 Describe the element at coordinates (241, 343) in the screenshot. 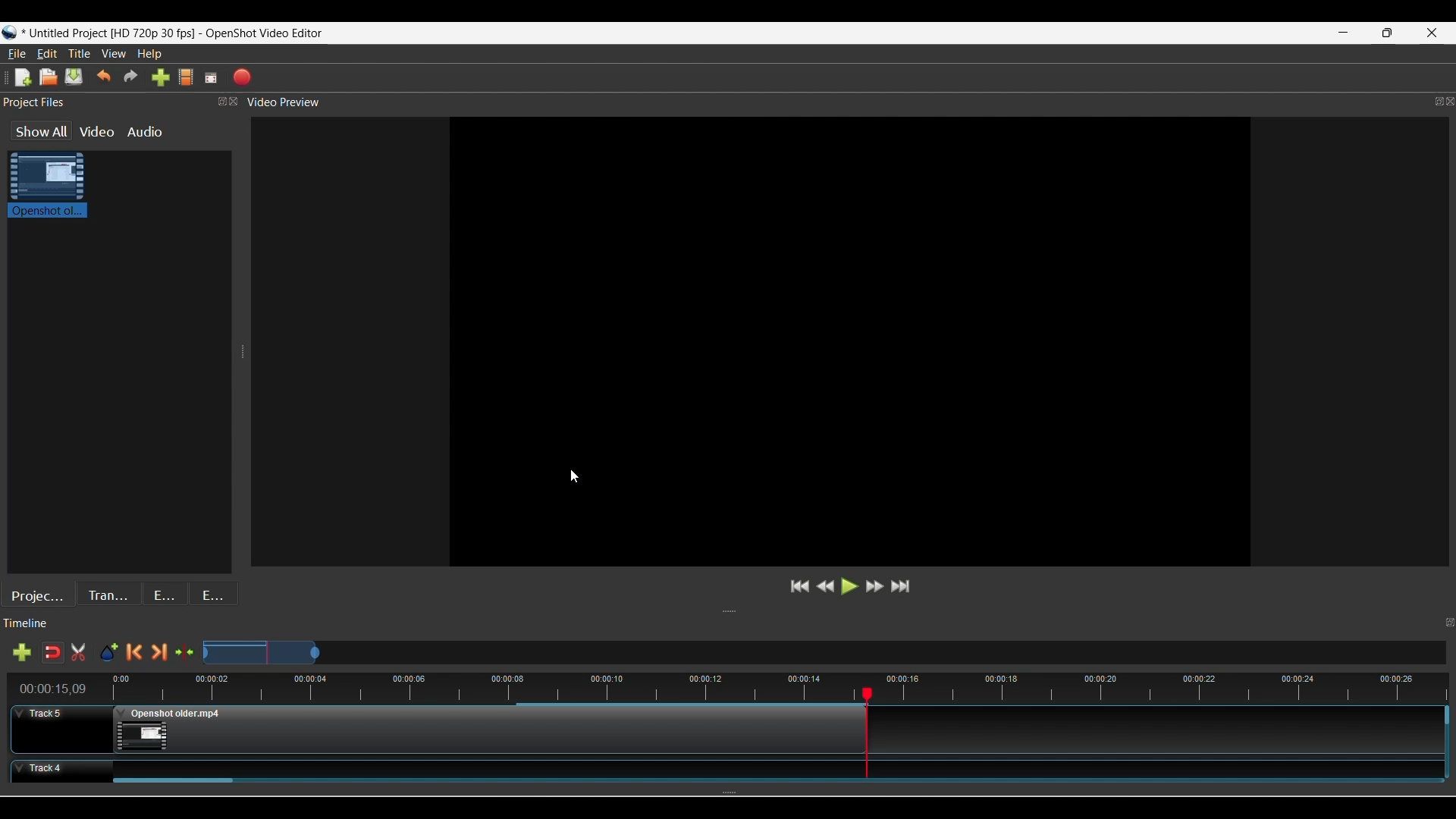

I see `Change width of panels attached to this line` at that location.